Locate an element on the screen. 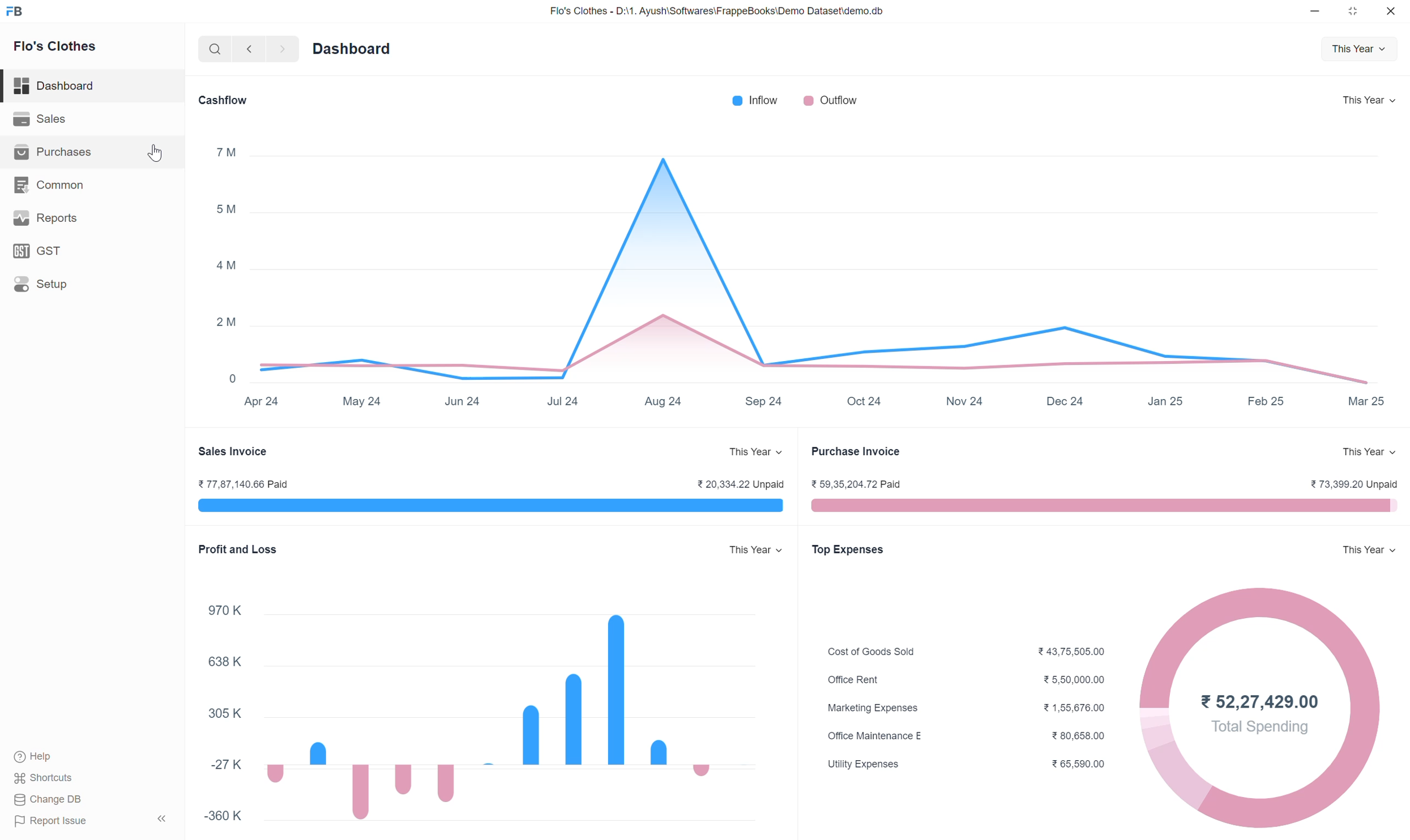 This screenshot has height=840, width=1410. graph is located at coordinates (815, 261).